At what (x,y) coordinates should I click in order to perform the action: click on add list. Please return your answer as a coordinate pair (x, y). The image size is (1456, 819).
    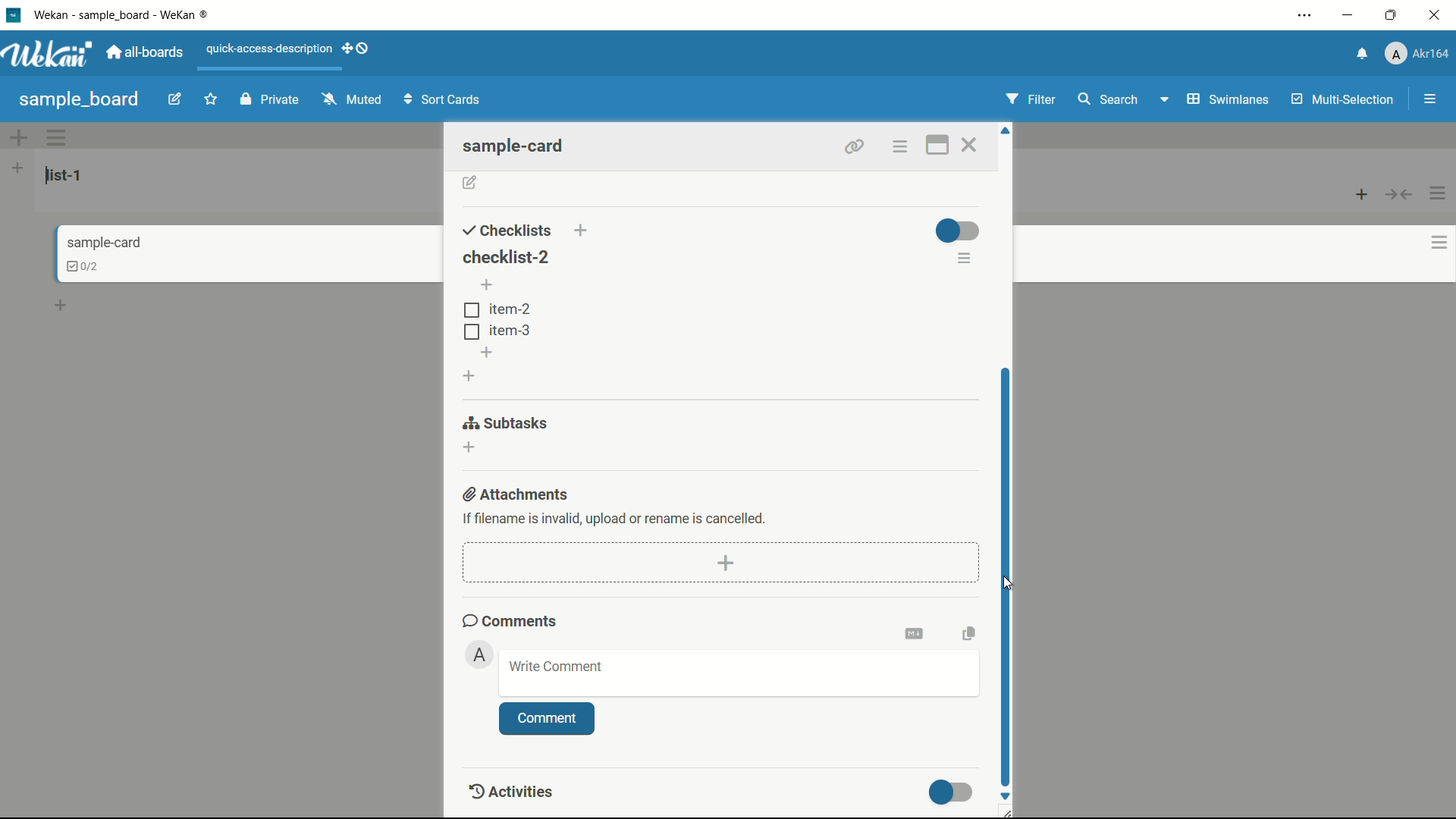
    Looking at the image, I should click on (17, 168).